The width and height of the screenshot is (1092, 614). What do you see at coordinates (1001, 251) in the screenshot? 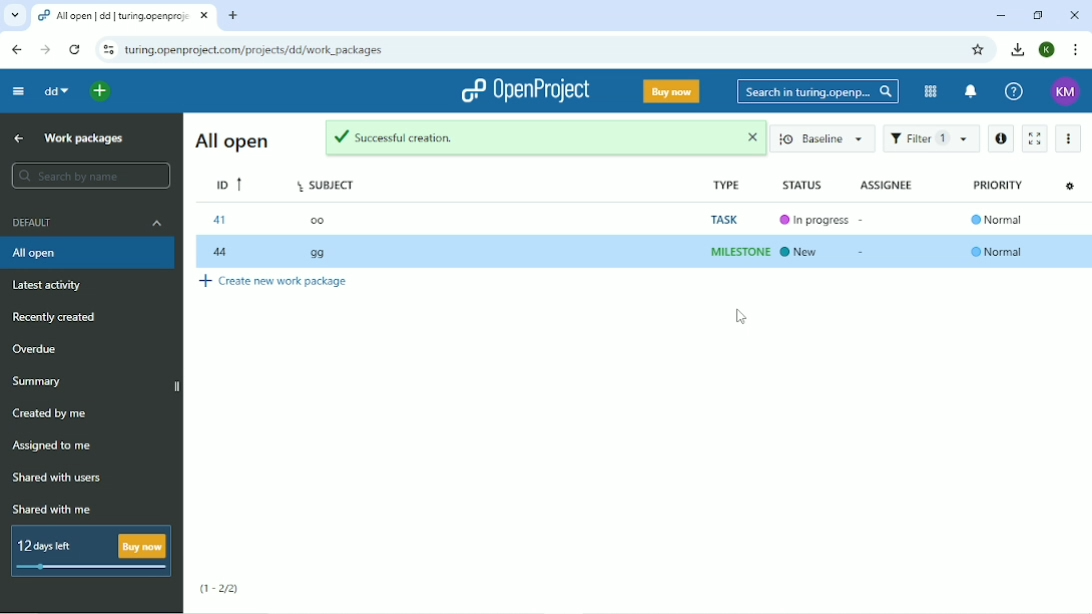
I see `Normal` at bounding box center [1001, 251].